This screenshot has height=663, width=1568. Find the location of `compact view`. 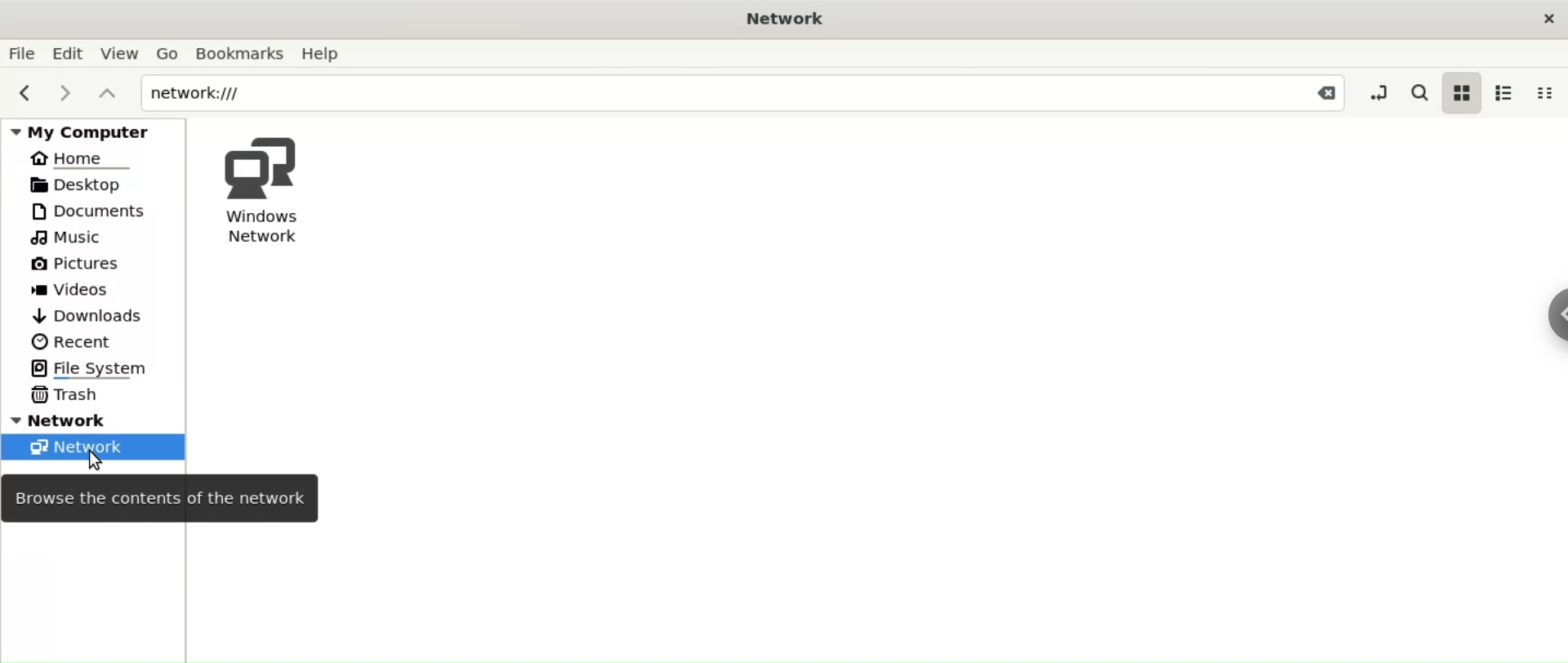

compact view is located at coordinates (1552, 94).